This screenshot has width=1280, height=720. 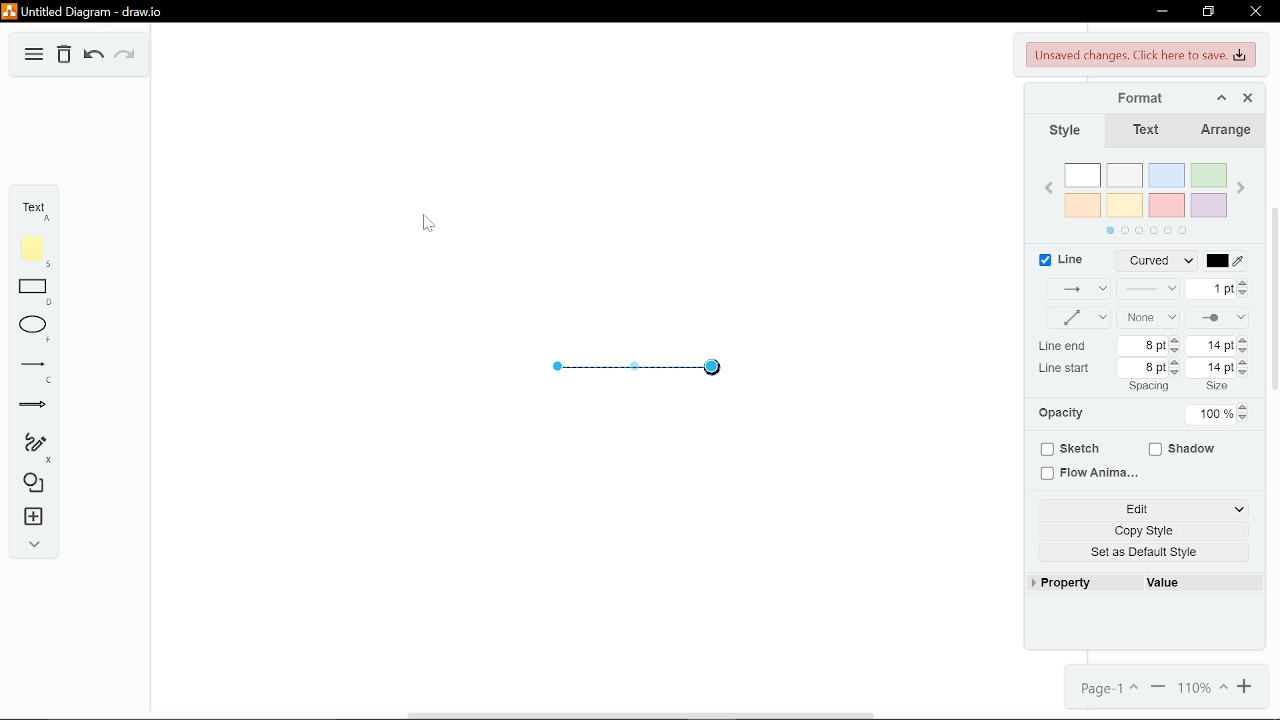 I want to click on Increase LIne end spacing, so click(x=1177, y=339).